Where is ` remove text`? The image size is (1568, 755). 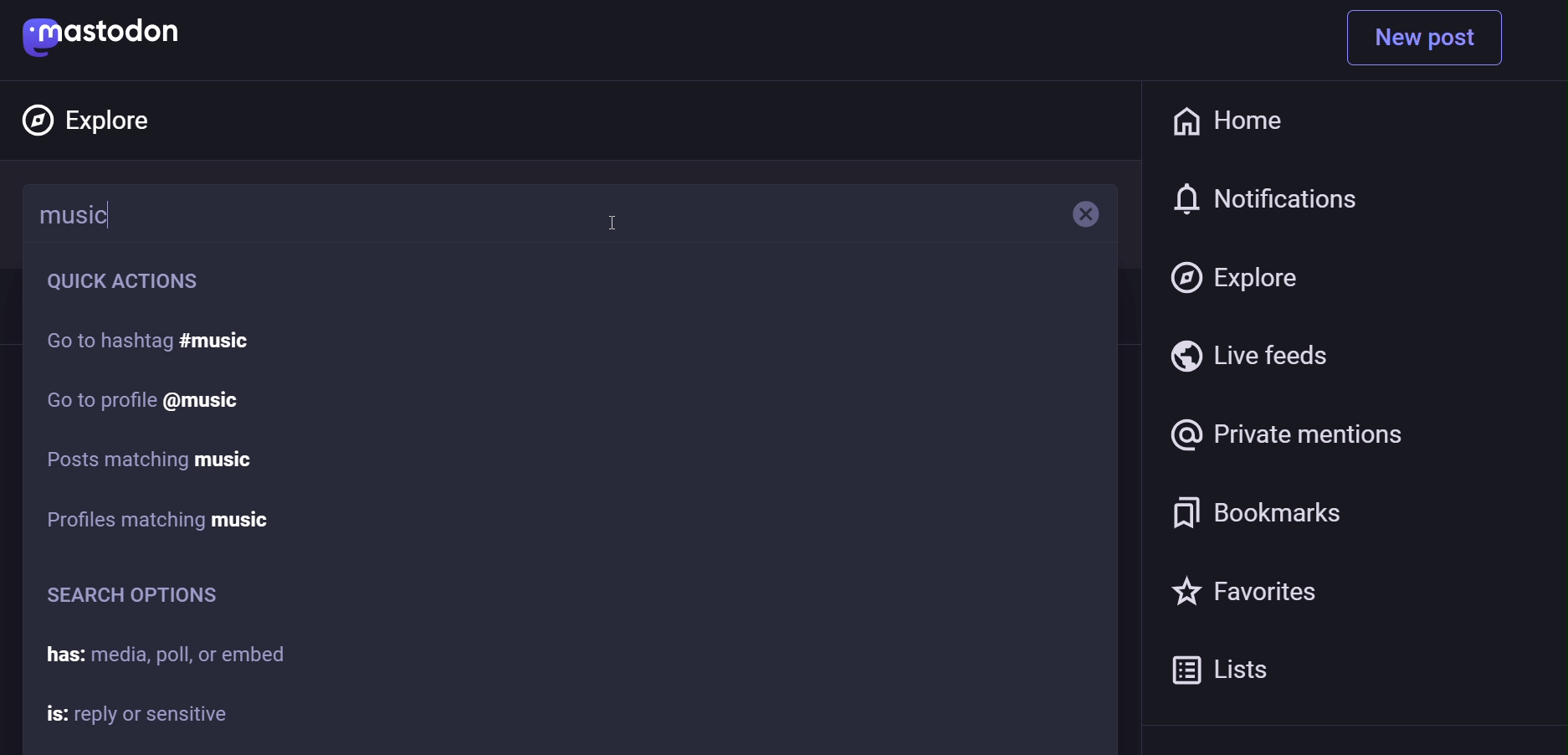  remove text is located at coordinates (1075, 218).